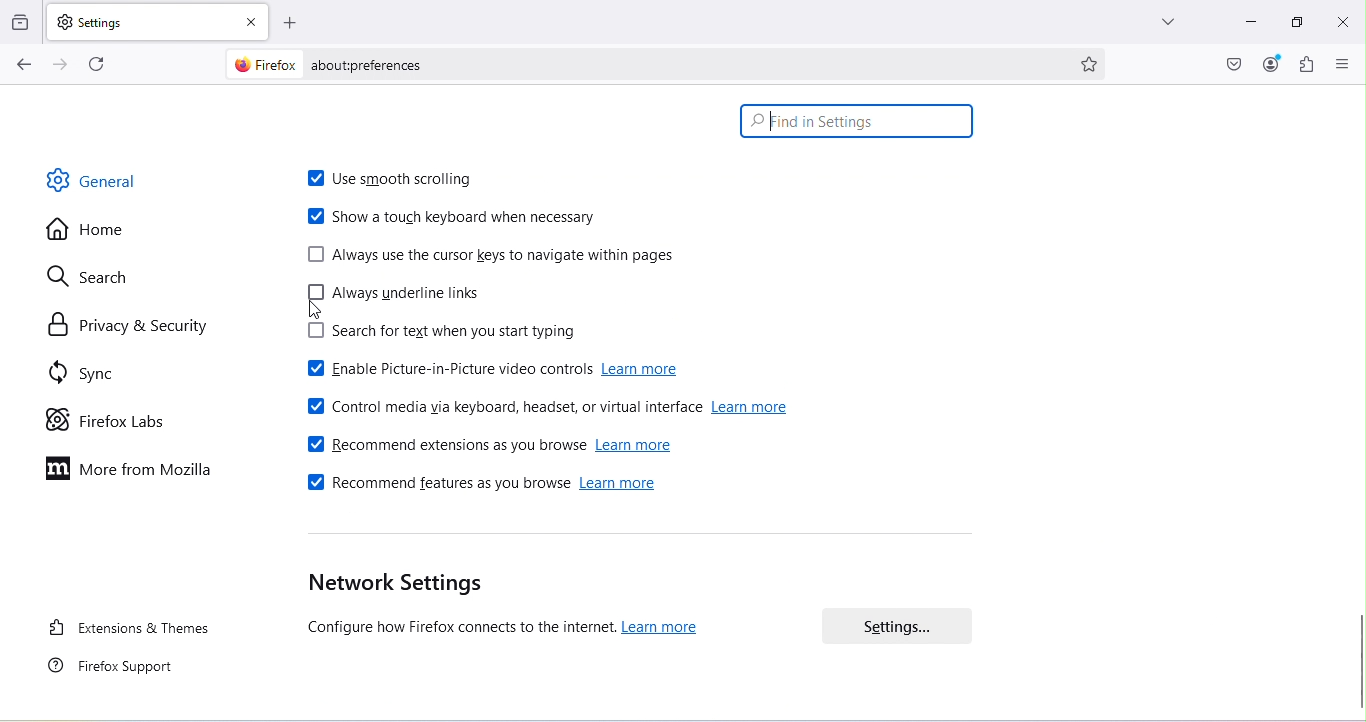 The image size is (1366, 722). What do you see at coordinates (1357, 90) in the screenshot?
I see `move up` at bounding box center [1357, 90].